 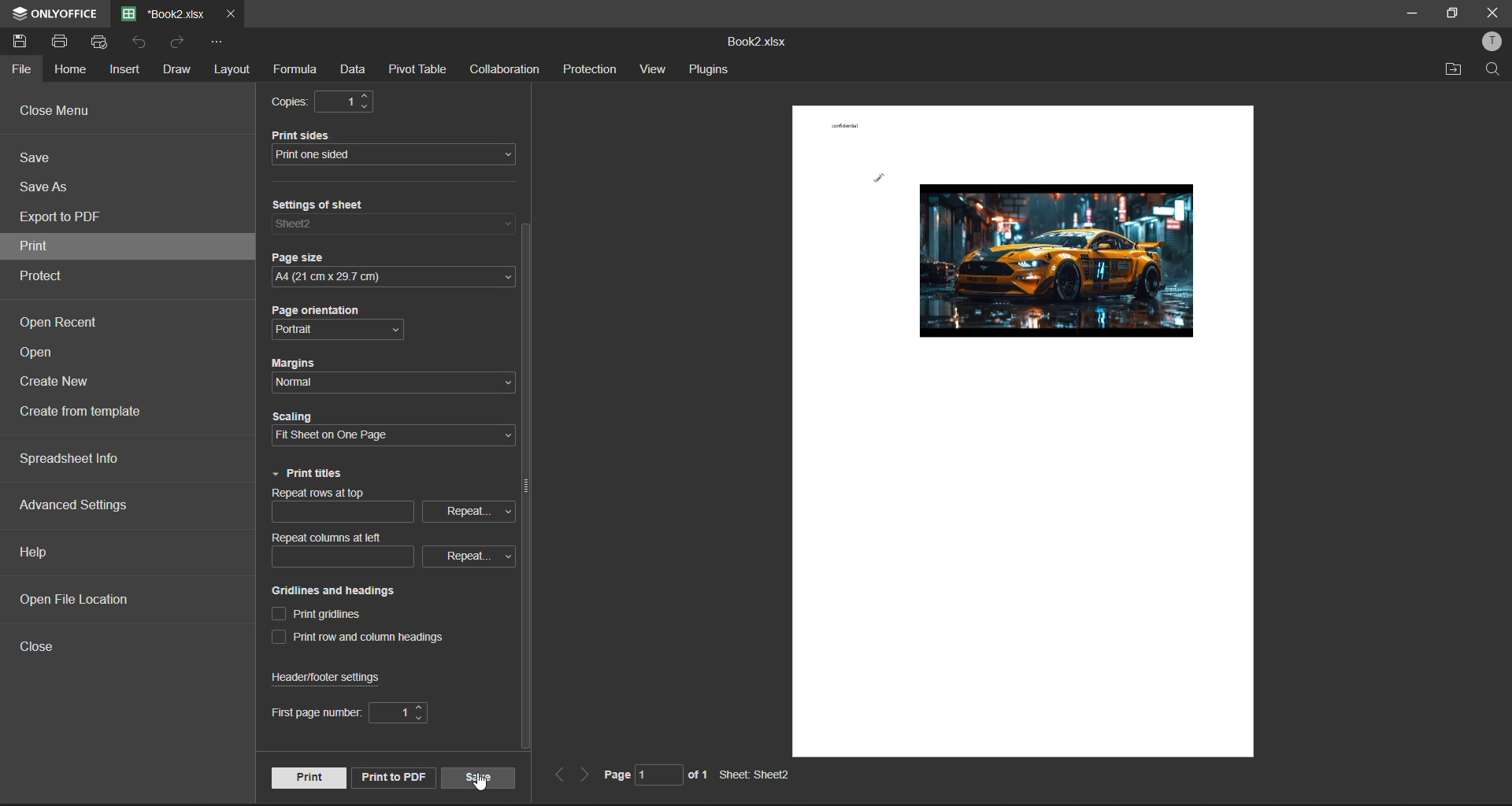 I want to click on maximize, so click(x=1451, y=13).